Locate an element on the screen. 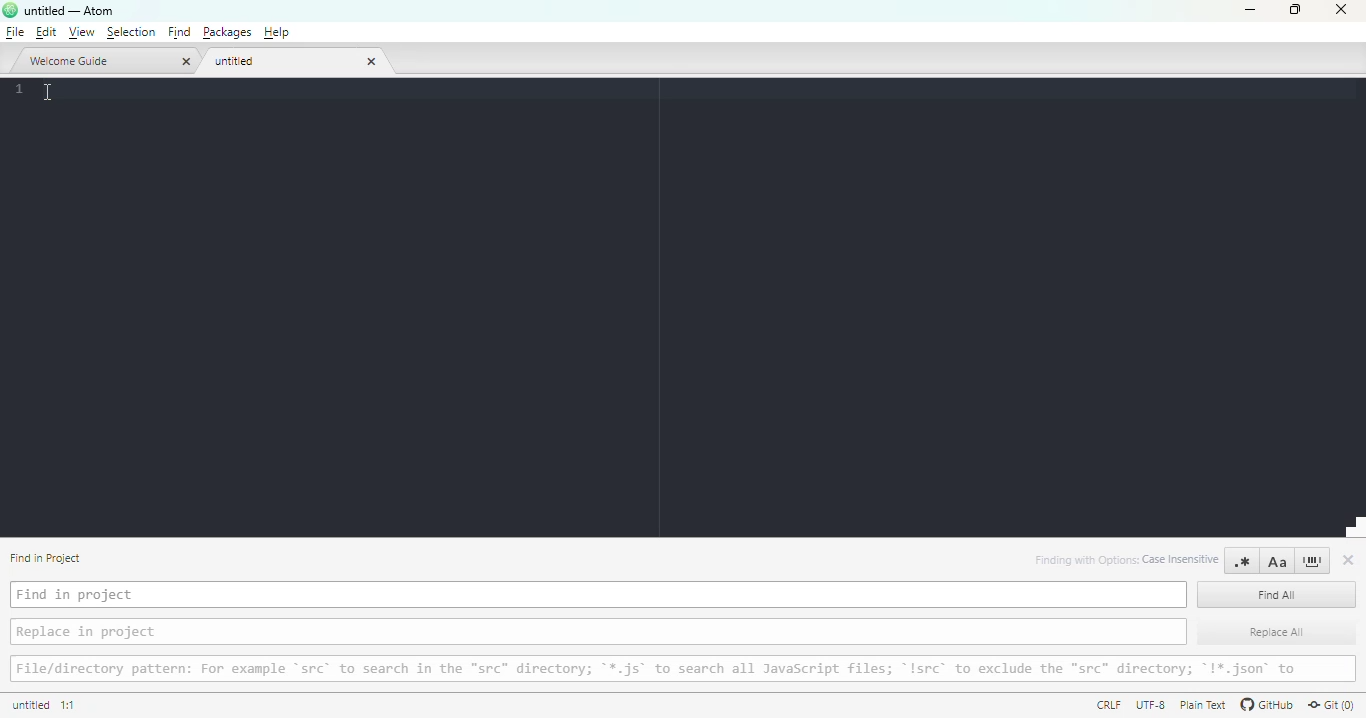  minimize is located at coordinates (1252, 9).